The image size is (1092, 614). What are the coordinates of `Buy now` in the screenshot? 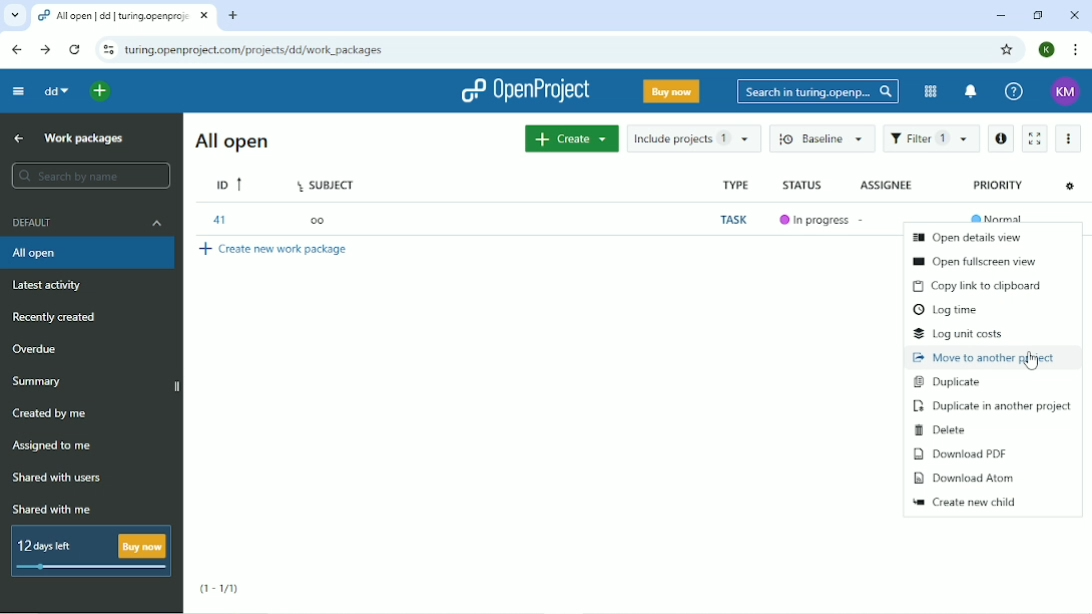 It's located at (672, 91).